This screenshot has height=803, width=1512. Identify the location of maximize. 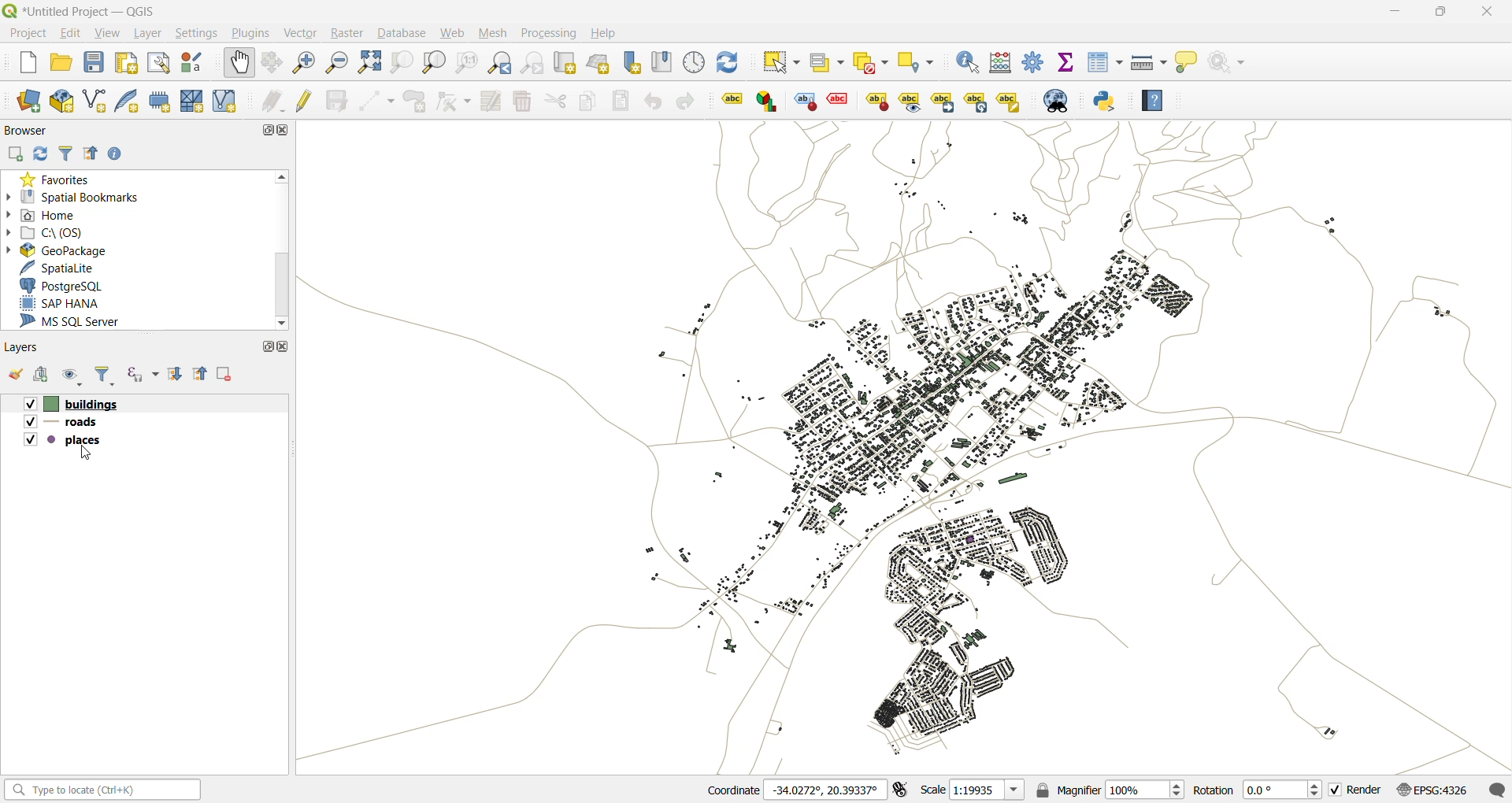
(267, 348).